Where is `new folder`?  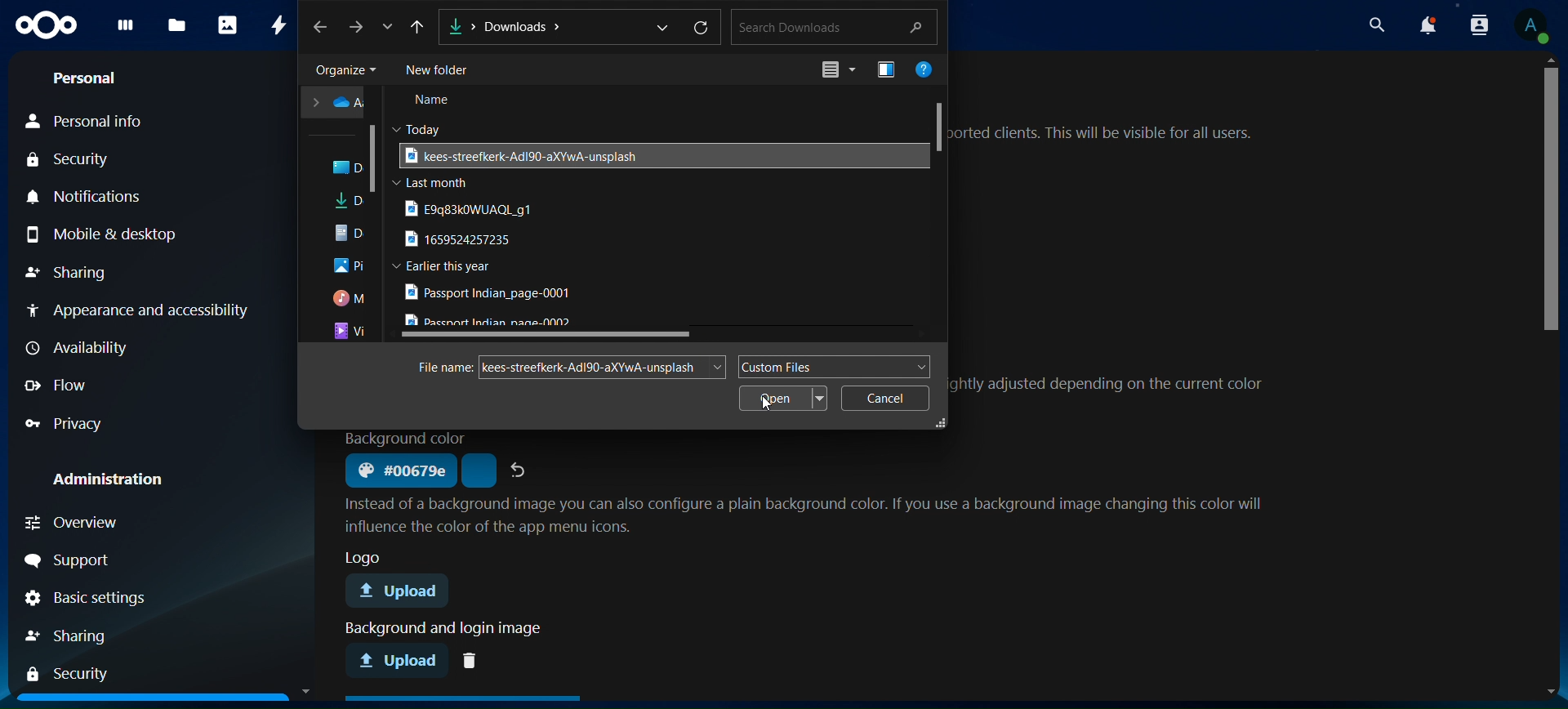
new folder is located at coordinates (443, 70).